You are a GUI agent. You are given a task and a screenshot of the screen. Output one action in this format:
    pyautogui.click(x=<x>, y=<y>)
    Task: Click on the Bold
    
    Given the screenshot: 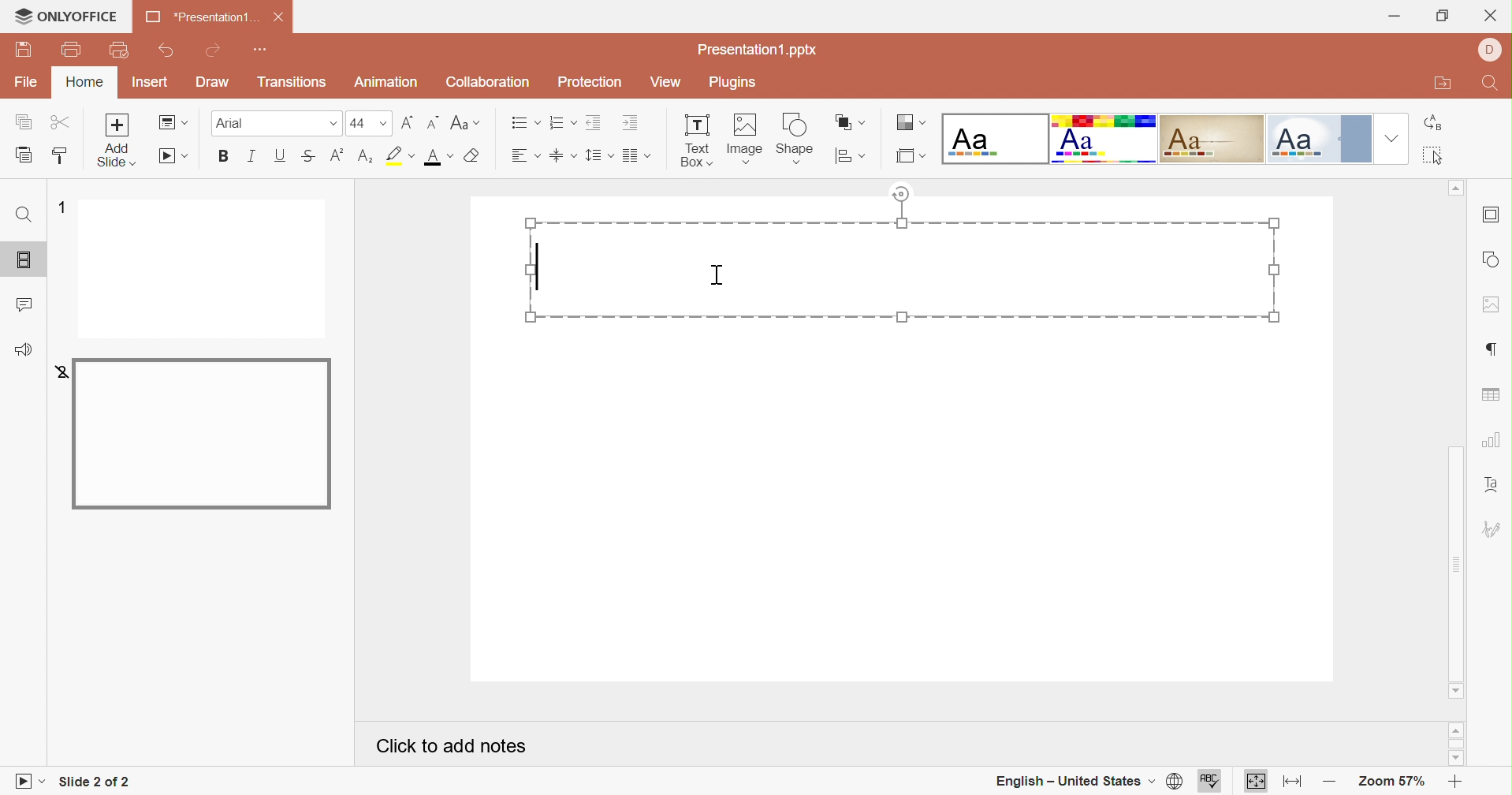 What is the action you would take?
    pyautogui.click(x=226, y=157)
    